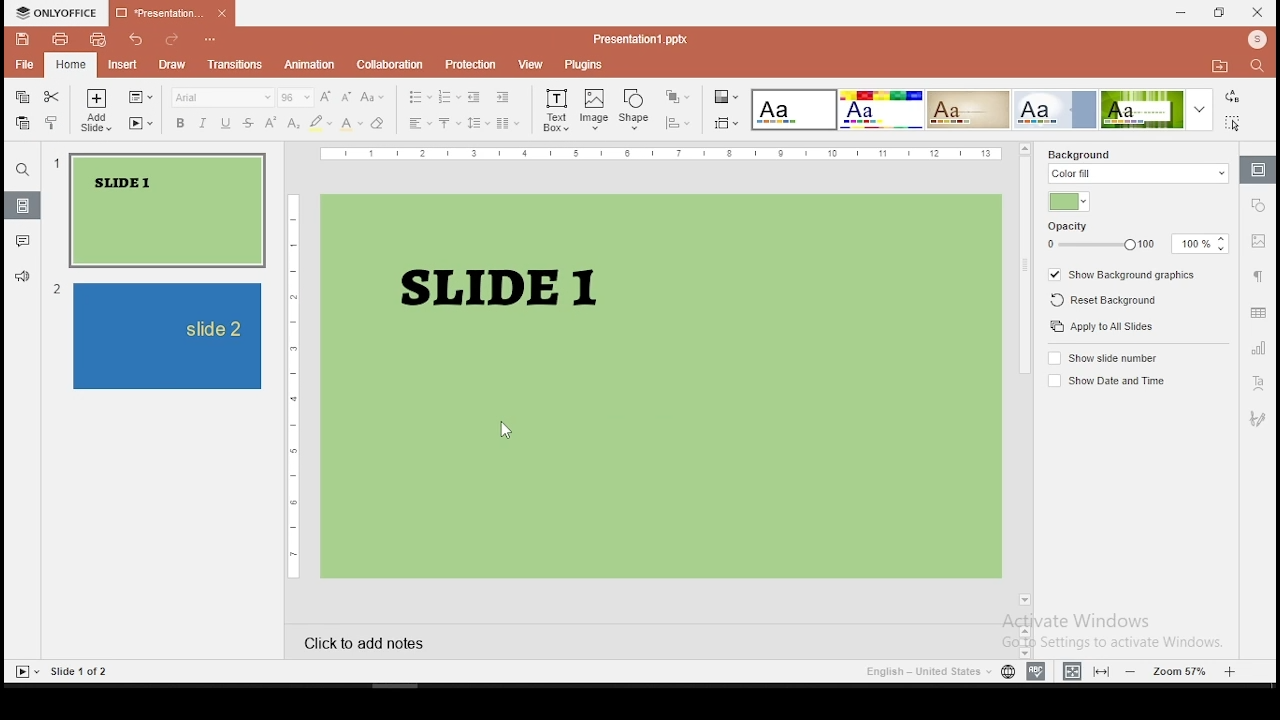  I want to click on select color theme, so click(1056, 109).